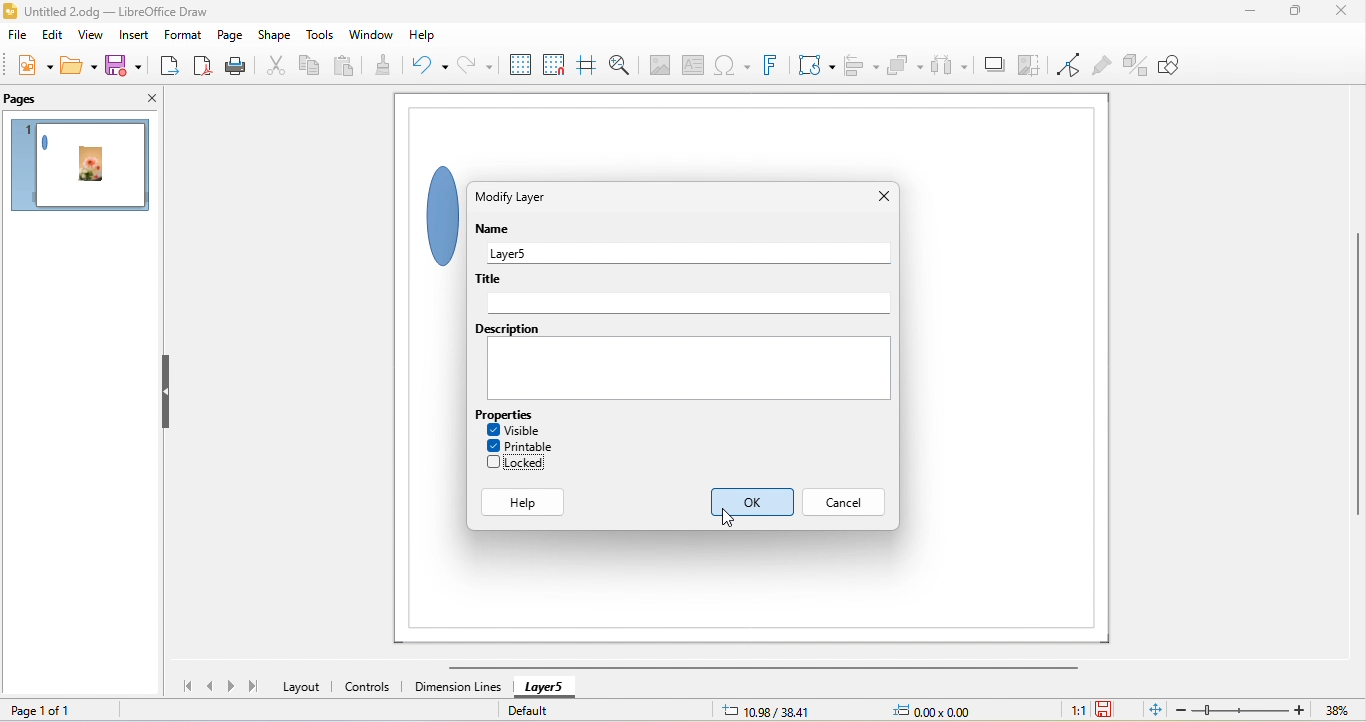 The image size is (1366, 722). Describe the element at coordinates (1181, 709) in the screenshot. I see `zoom out` at that location.